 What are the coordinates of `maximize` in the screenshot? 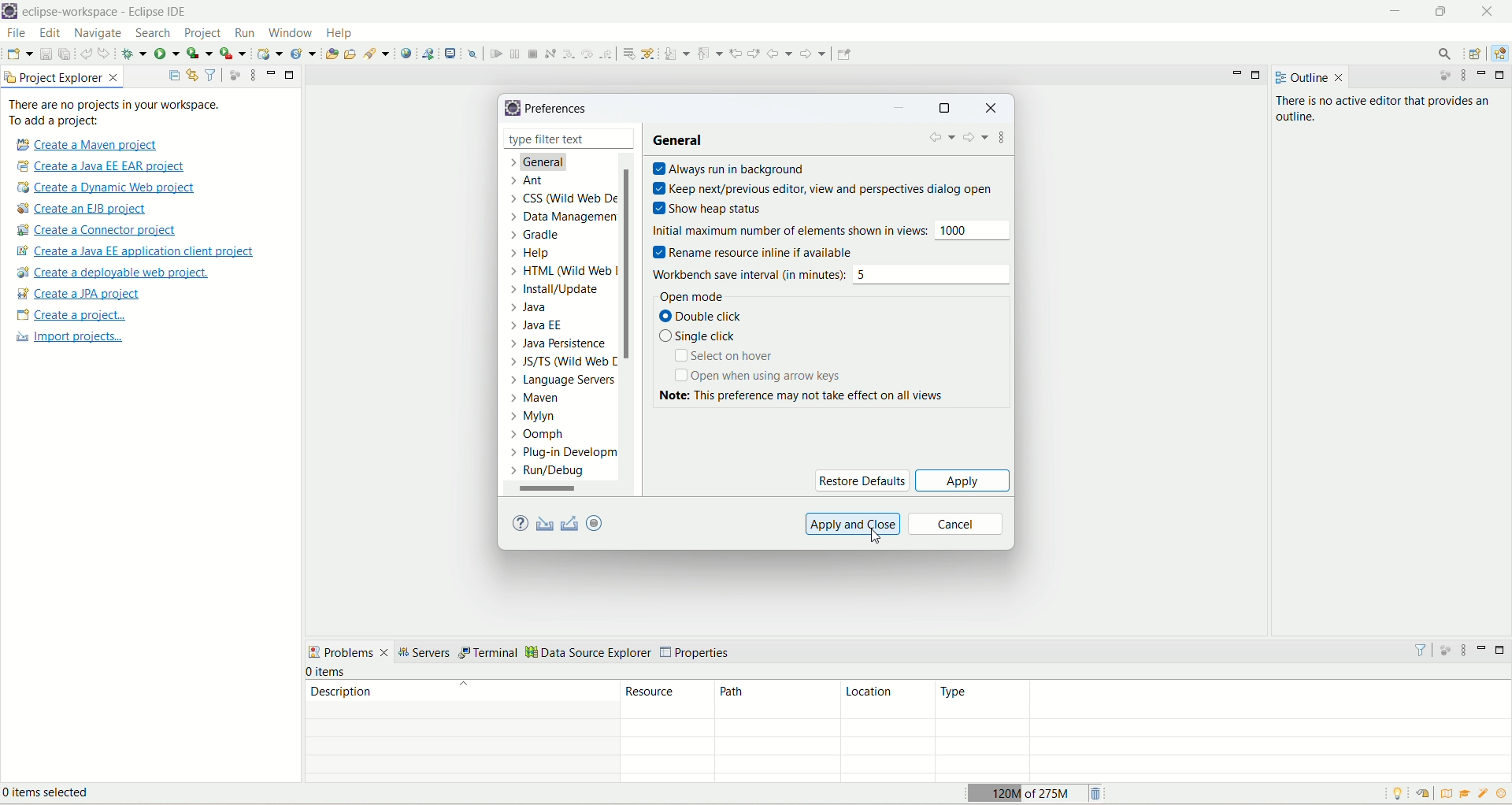 It's located at (944, 109).